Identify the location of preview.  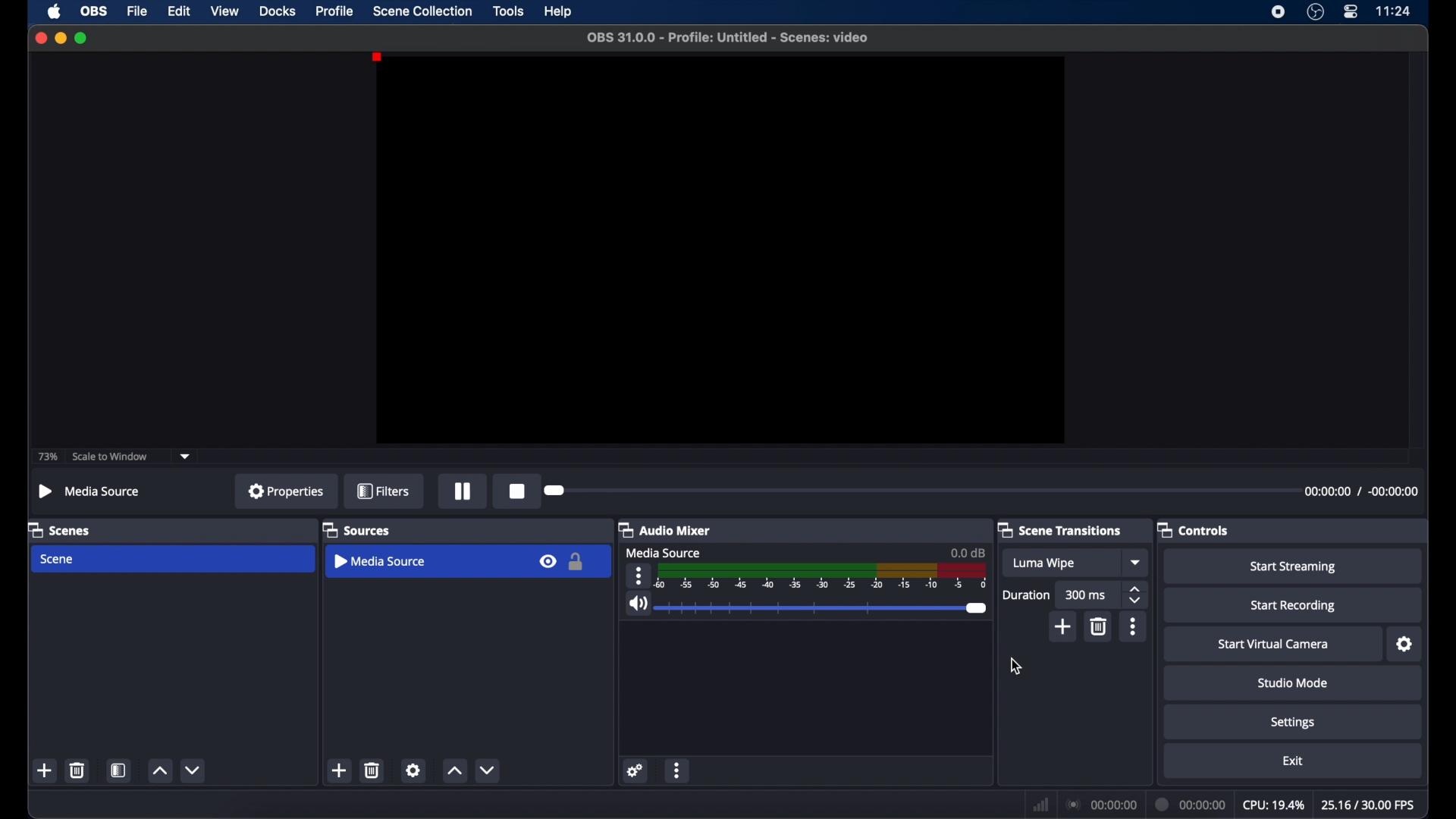
(720, 250).